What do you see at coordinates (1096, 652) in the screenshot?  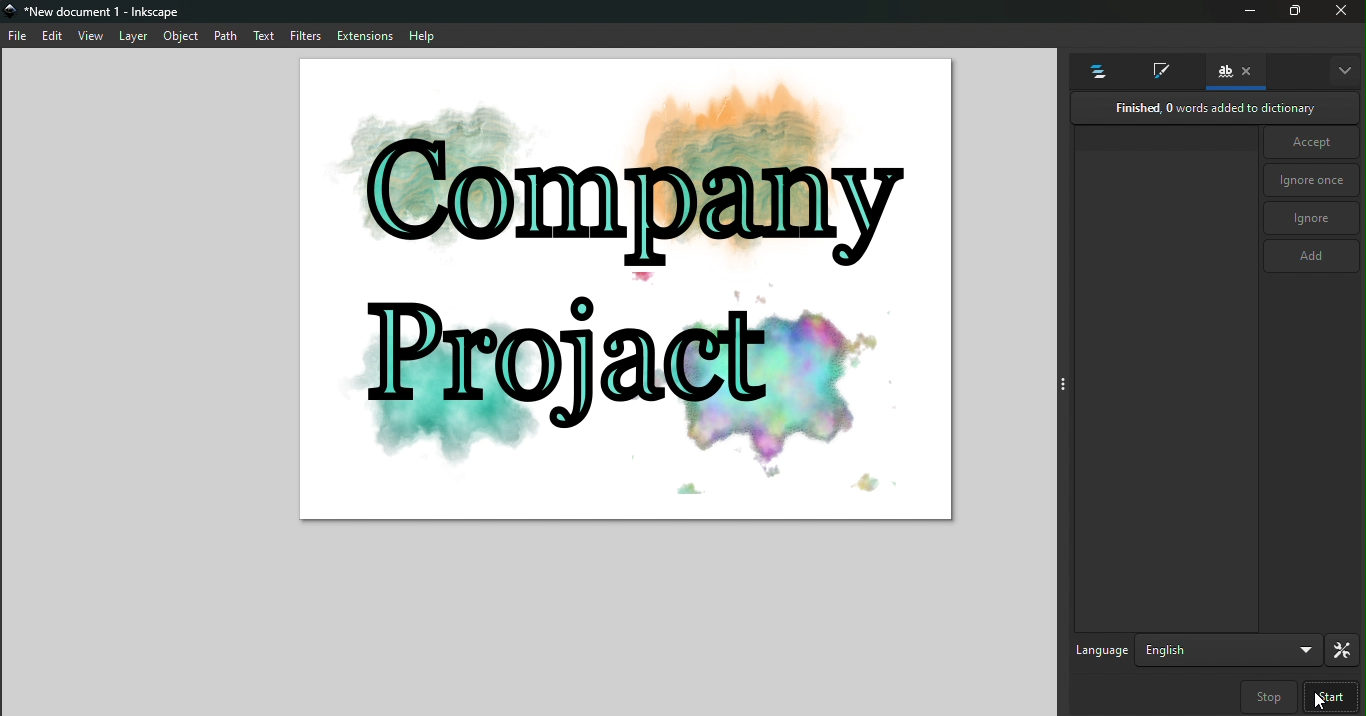 I see `Language` at bounding box center [1096, 652].